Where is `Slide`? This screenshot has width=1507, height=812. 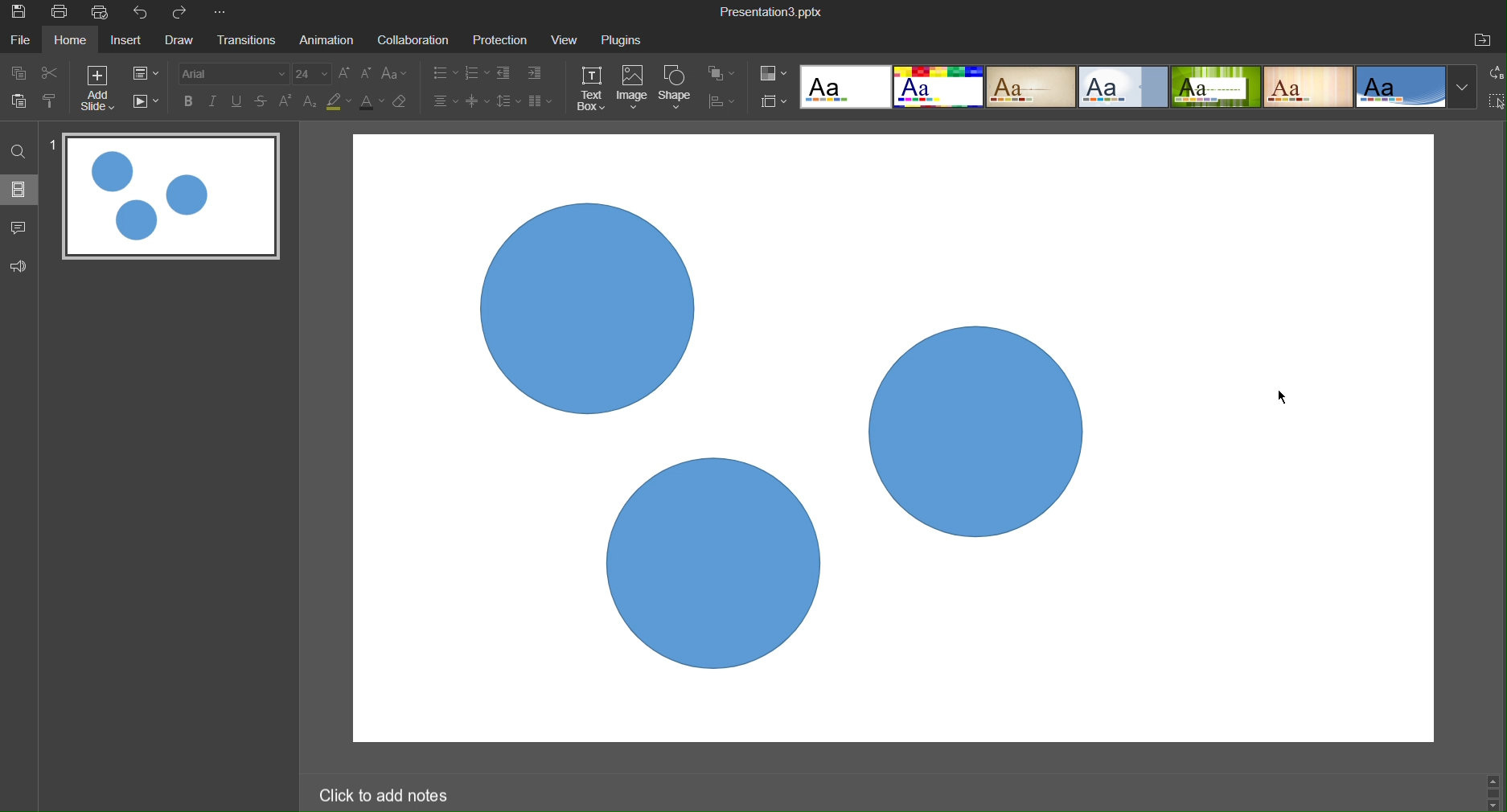
Slide is located at coordinates (18, 193).